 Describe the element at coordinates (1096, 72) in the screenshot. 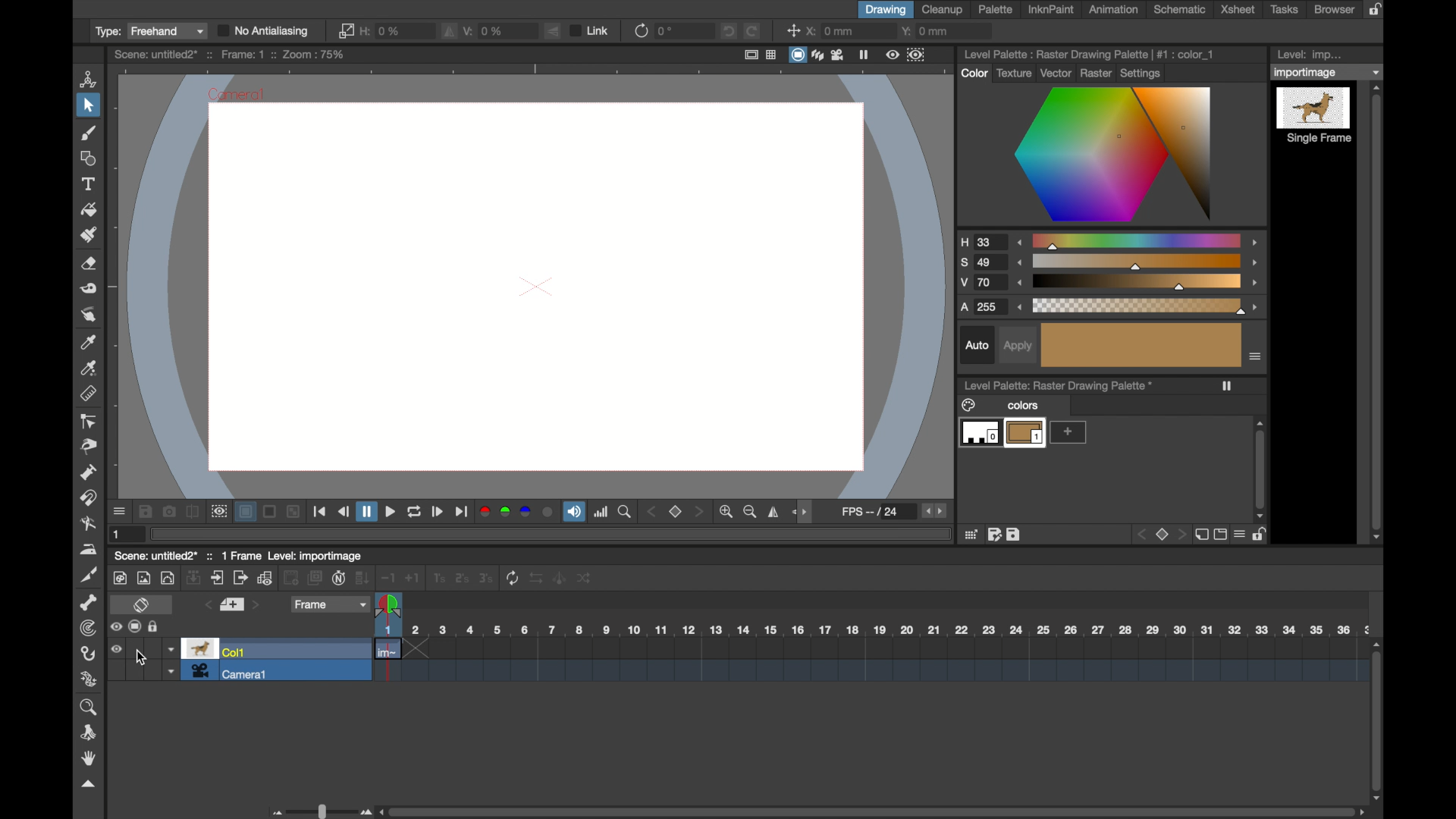

I see `raster` at that location.